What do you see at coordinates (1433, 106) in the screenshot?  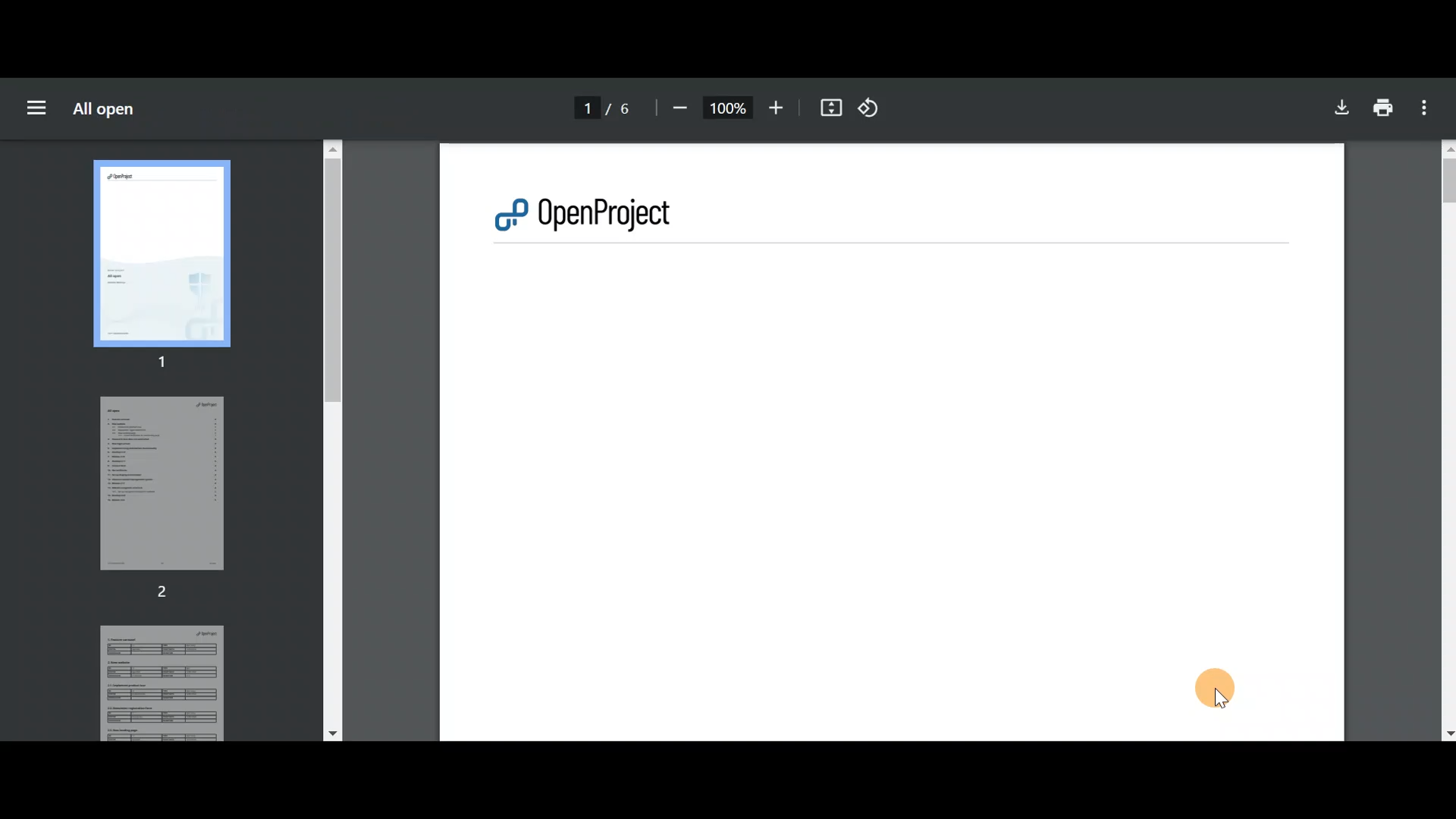 I see `More actions` at bounding box center [1433, 106].